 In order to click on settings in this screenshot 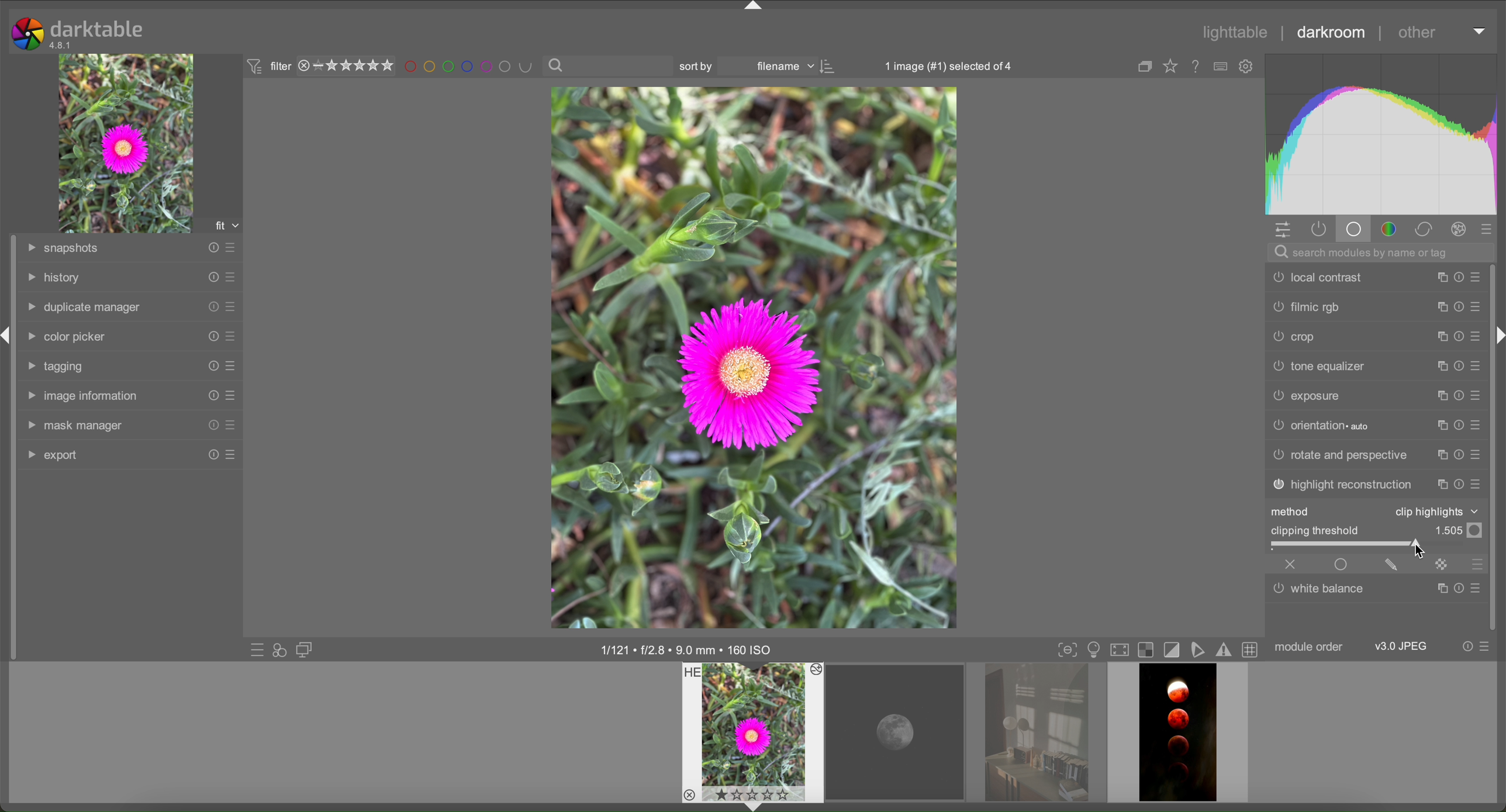, I will do `click(1246, 67)`.